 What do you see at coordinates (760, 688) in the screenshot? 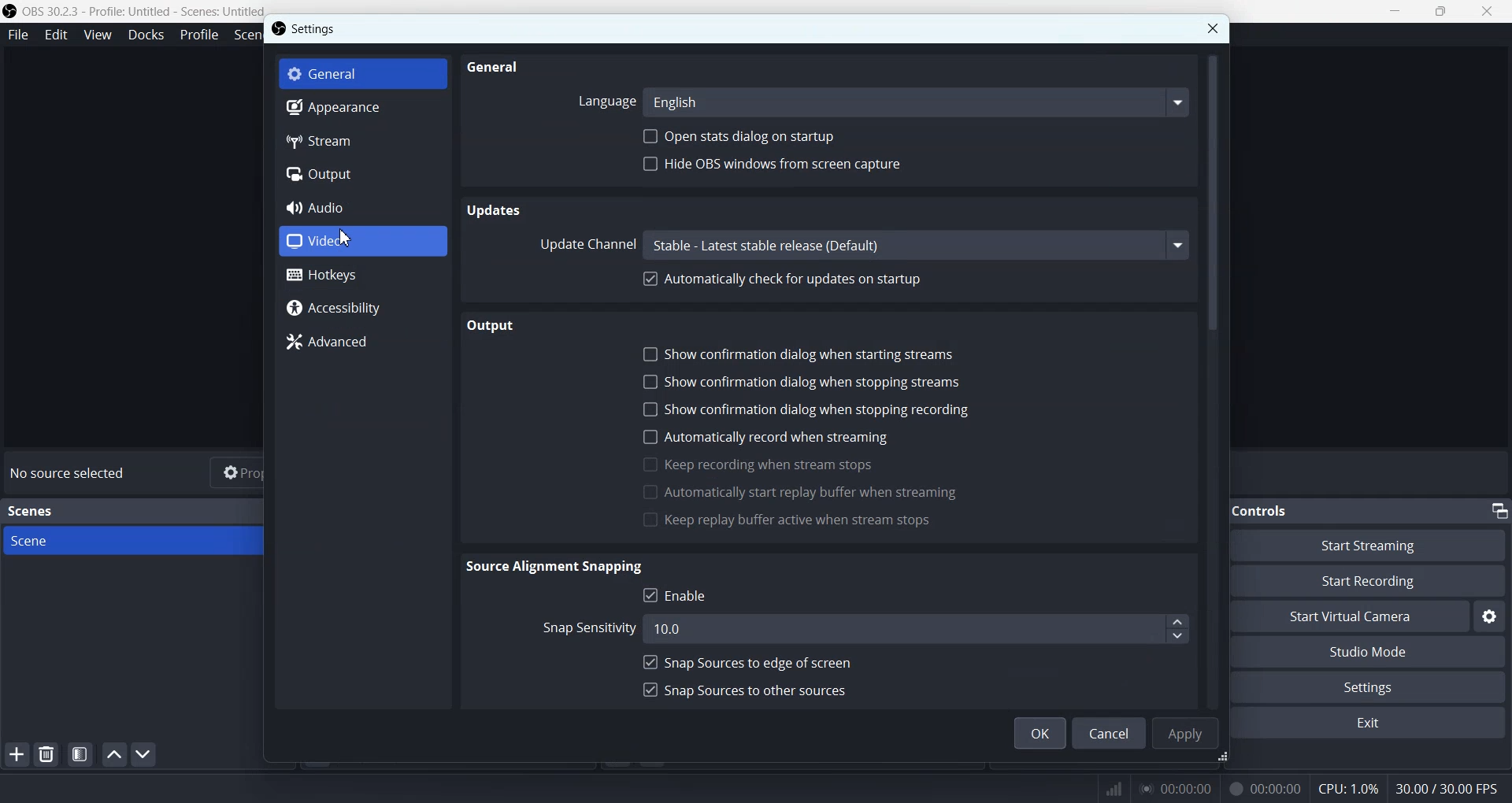
I see `Snap sources to other sources` at bounding box center [760, 688].